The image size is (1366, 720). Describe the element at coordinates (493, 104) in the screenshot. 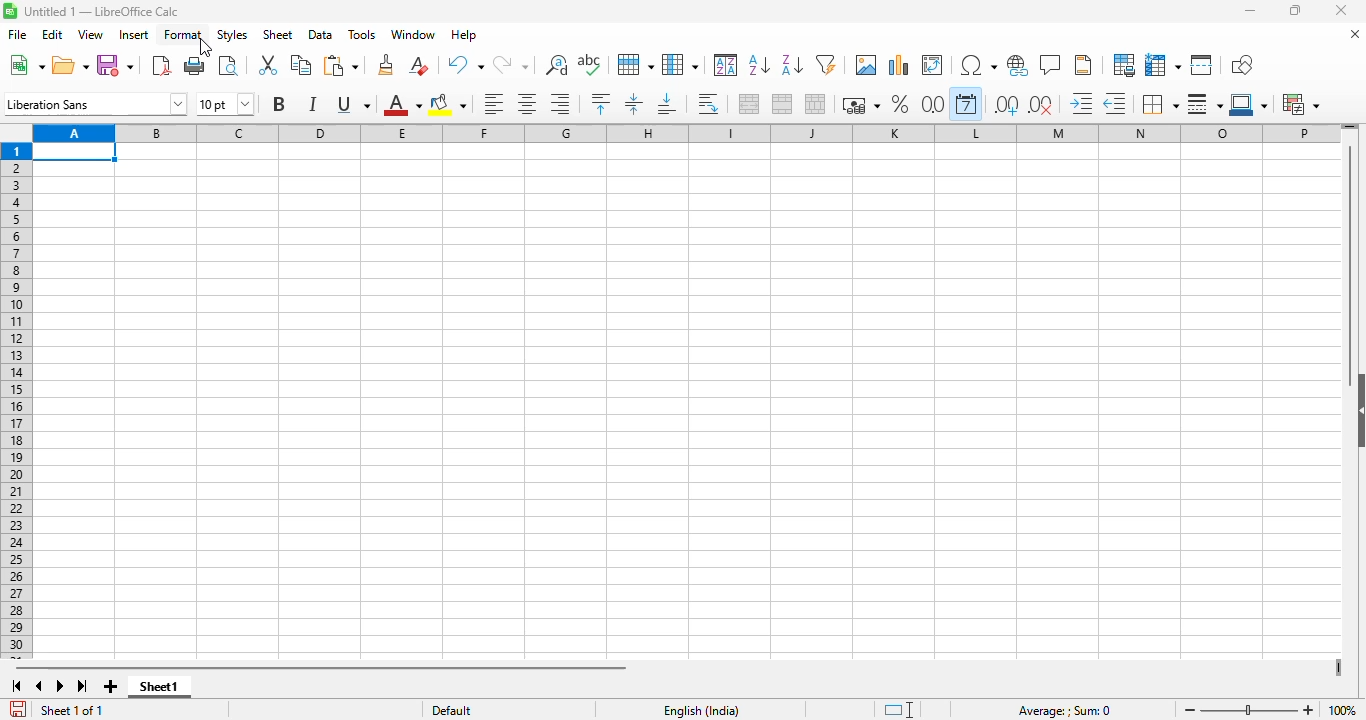

I see `align left` at that location.